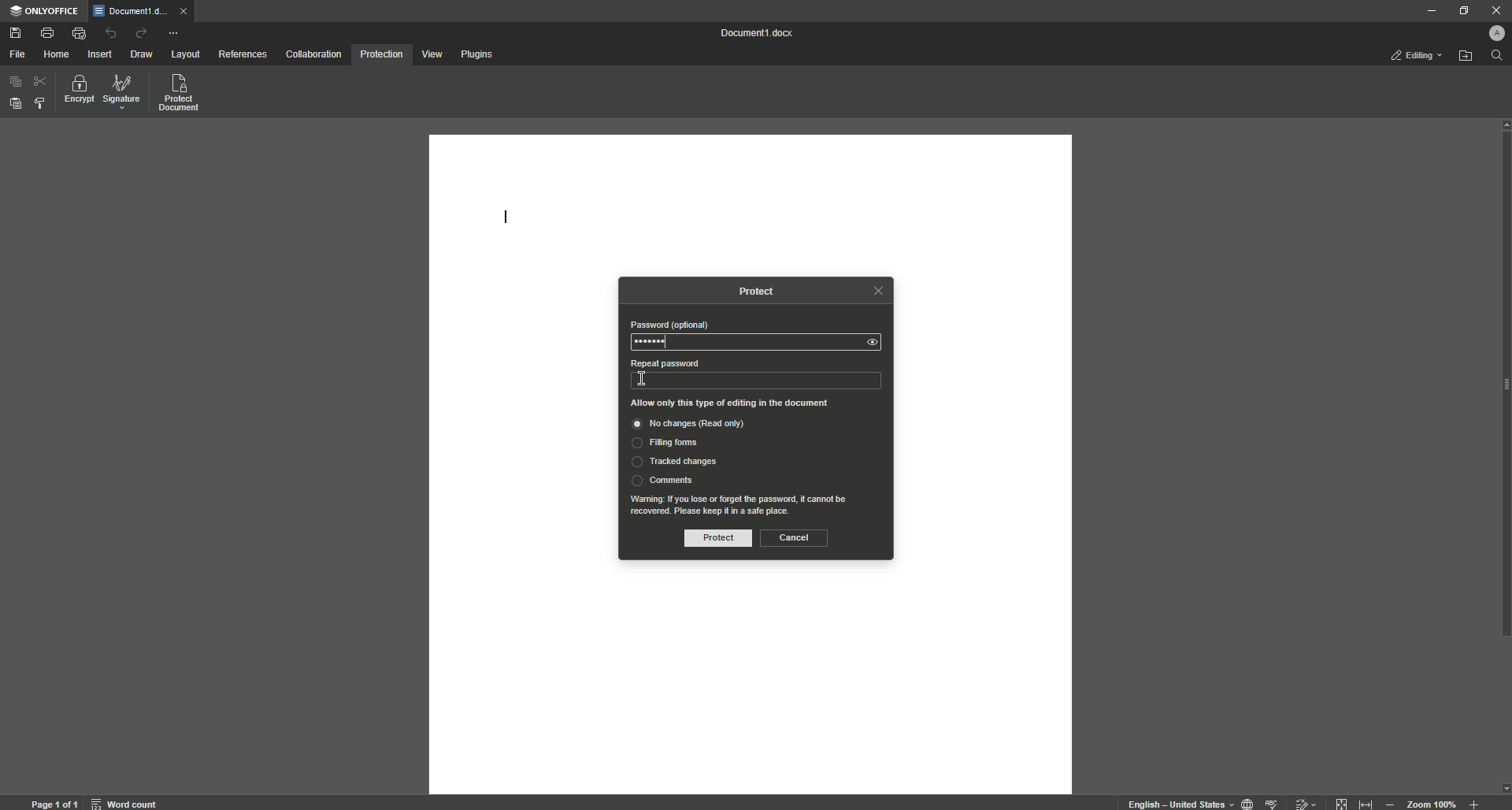 The width and height of the screenshot is (1512, 810). I want to click on Quick Print, so click(79, 32).